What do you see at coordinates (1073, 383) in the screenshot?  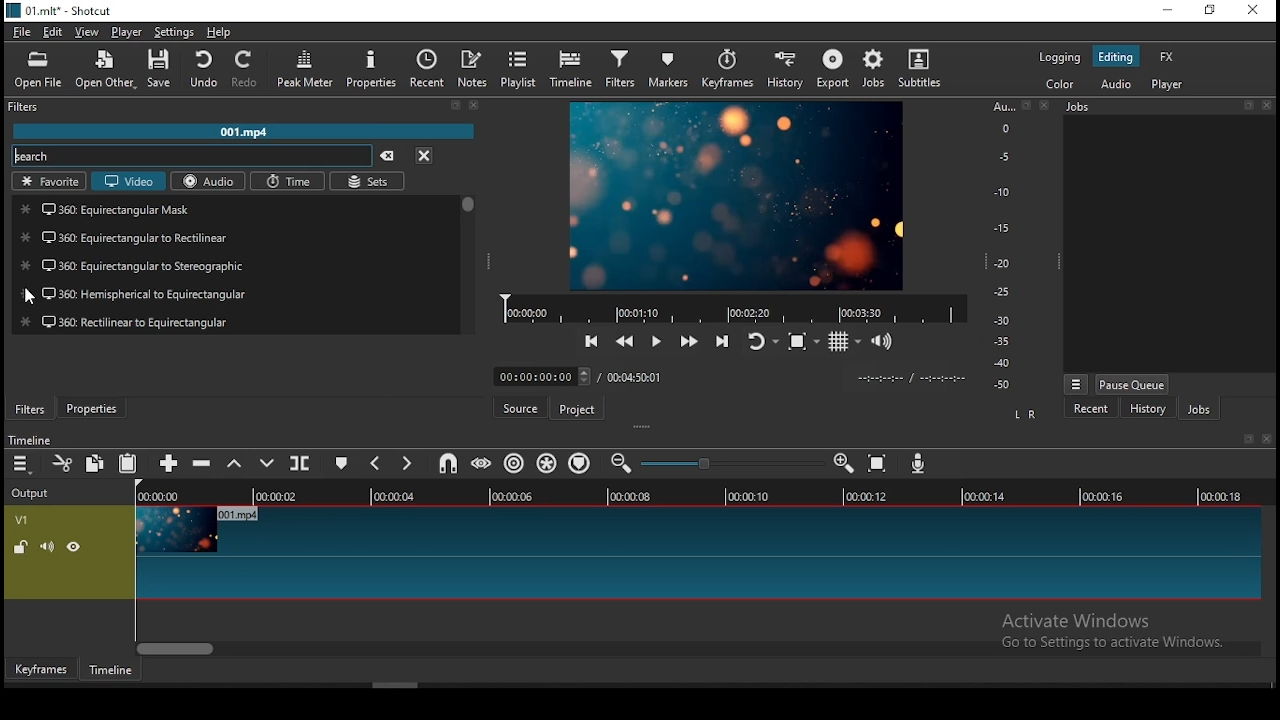 I see `Menu` at bounding box center [1073, 383].